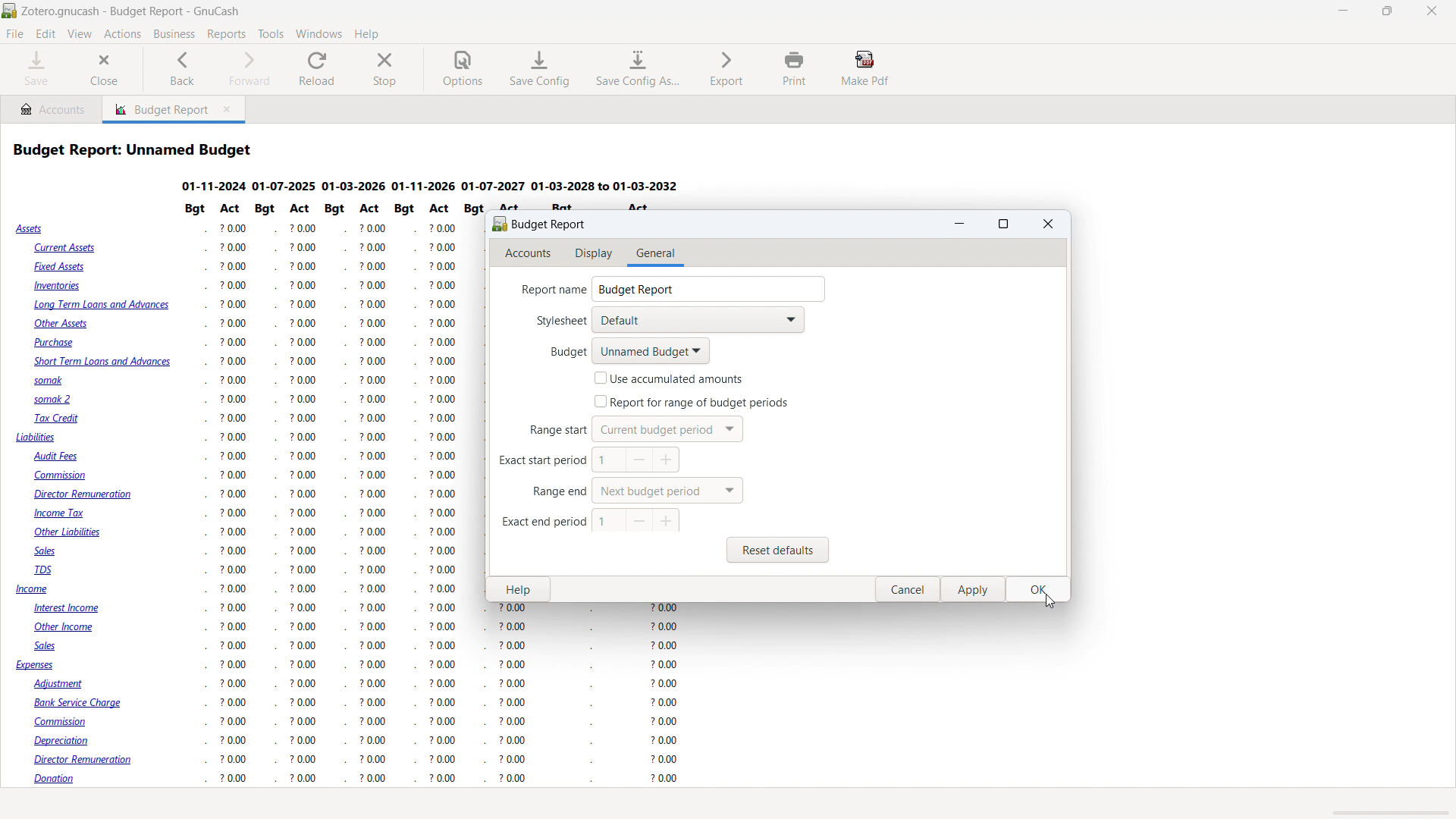 The height and width of the screenshot is (819, 1456). What do you see at coordinates (385, 69) in the screenshot?
I see `stop` at bounding box center [385, 69].